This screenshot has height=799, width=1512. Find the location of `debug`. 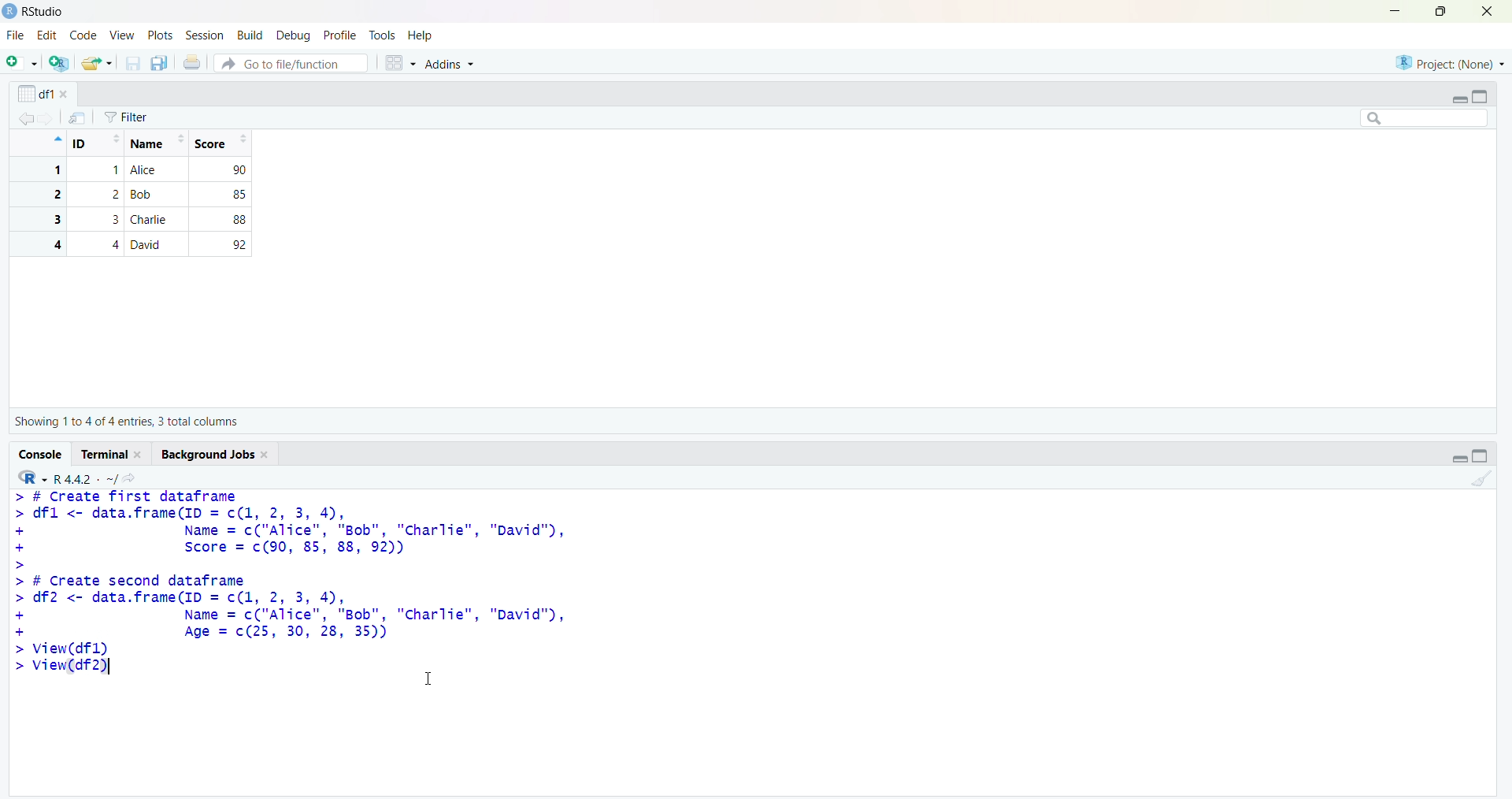

debug is located at coordinates (295, 36).